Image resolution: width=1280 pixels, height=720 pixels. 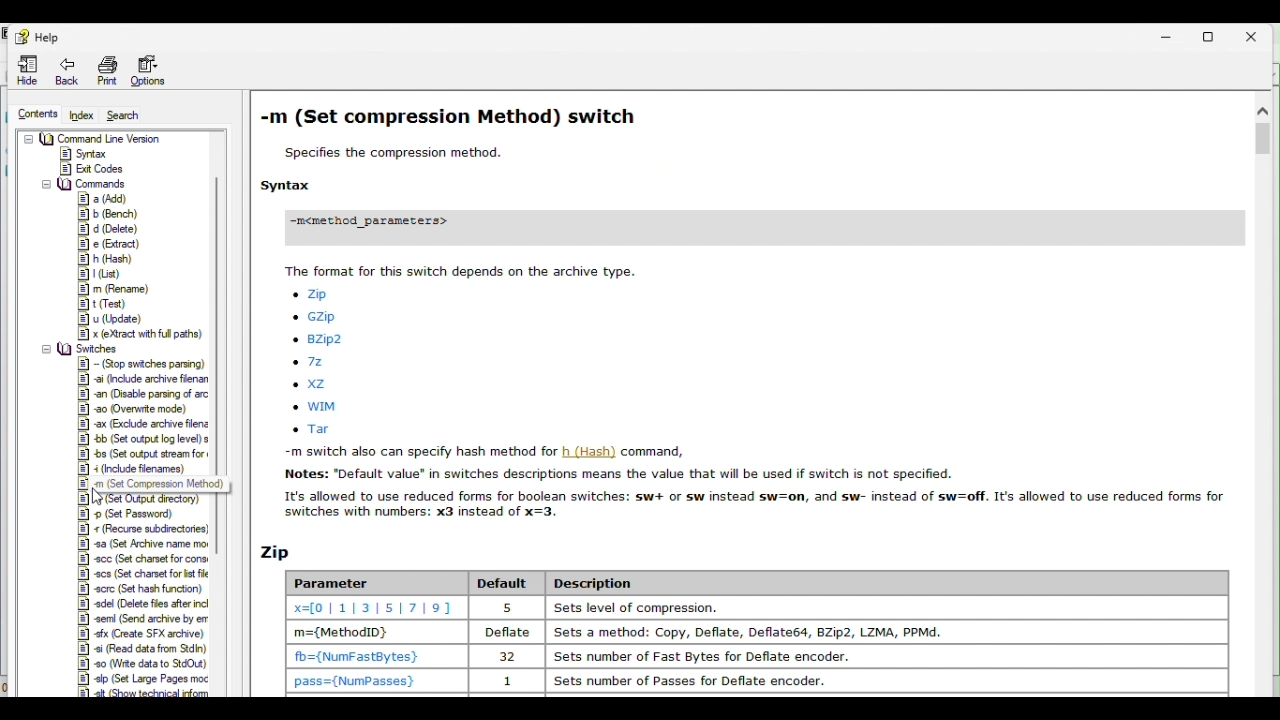 I want to click on description text, so click(x=752, y=484).